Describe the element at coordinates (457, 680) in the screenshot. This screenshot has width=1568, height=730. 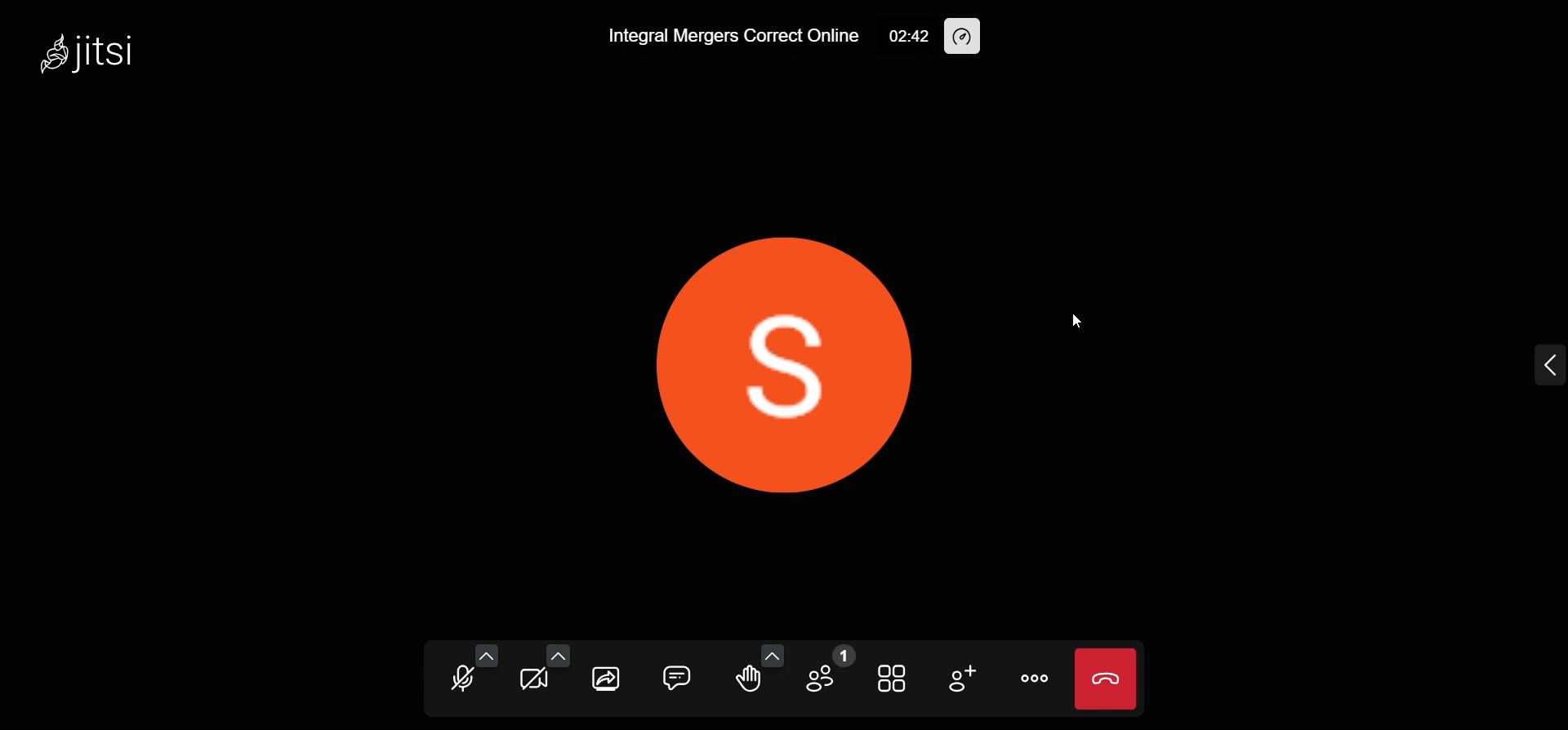
I see `unmute your mic` at that location.